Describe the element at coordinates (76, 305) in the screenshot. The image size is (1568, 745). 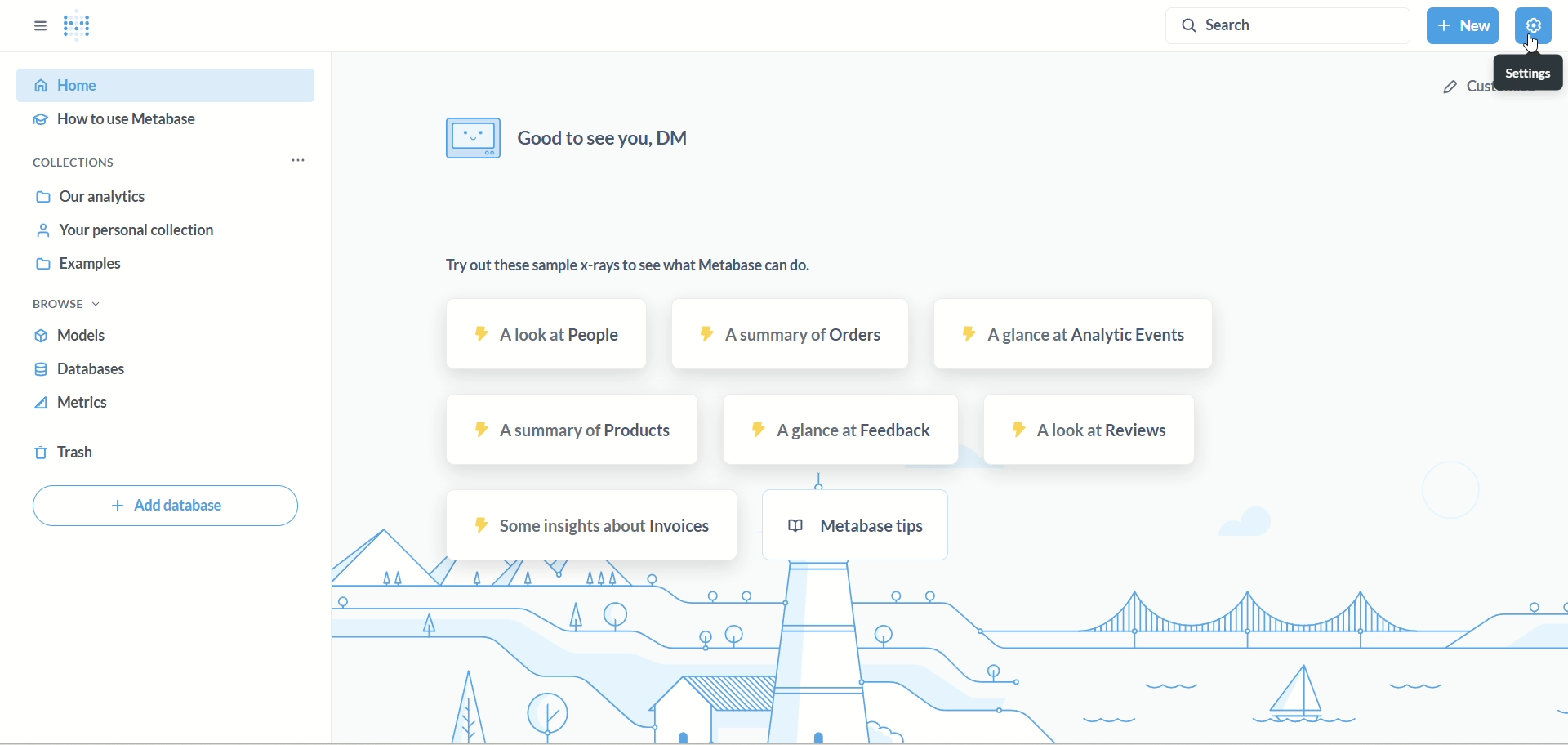
I see `browse` at that location.